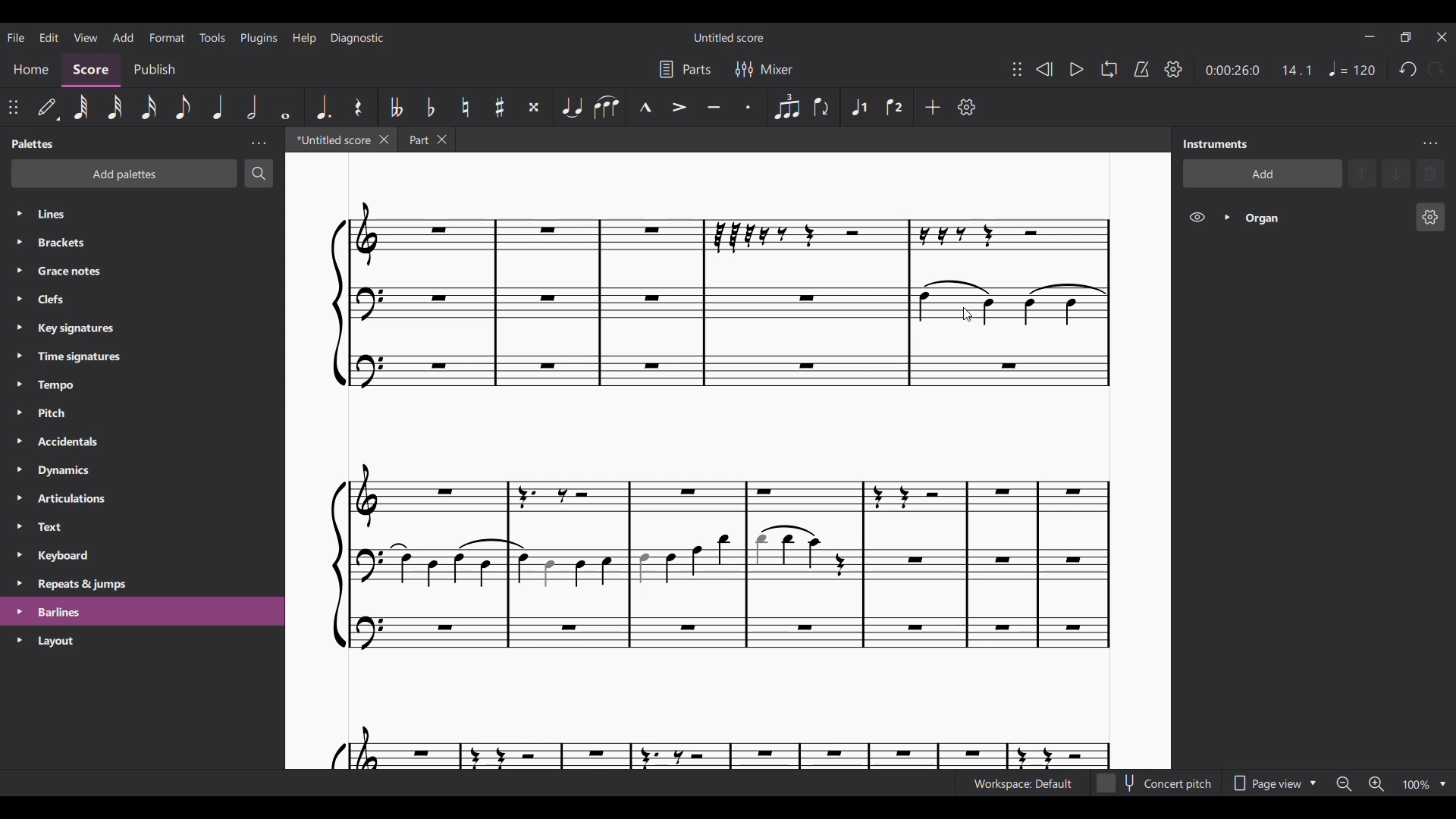 Image resolution: width=1456 pixels, height=819 pixels. I want to click on Home section, so click(30, 69).